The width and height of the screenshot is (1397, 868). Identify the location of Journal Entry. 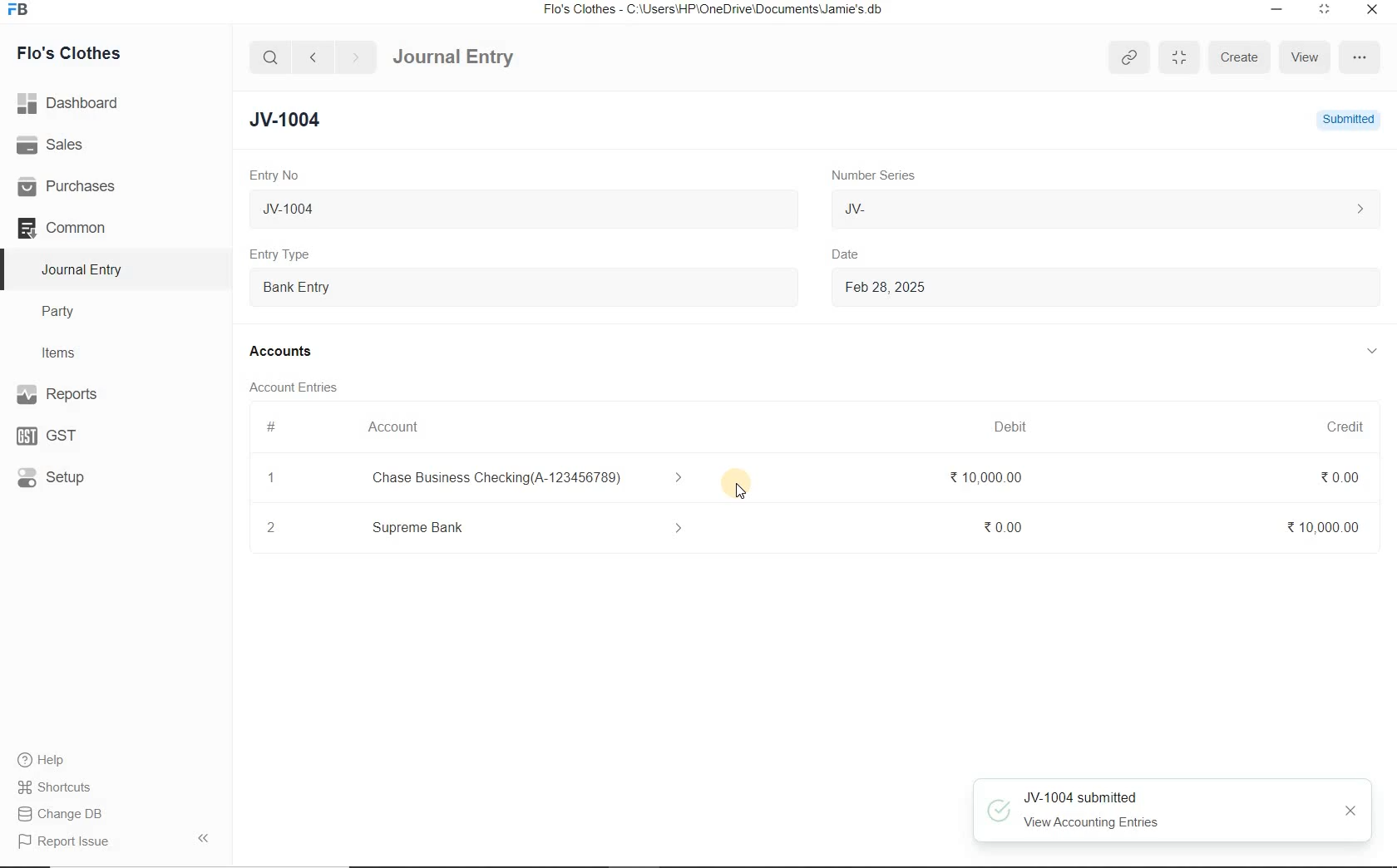
(84, 269).